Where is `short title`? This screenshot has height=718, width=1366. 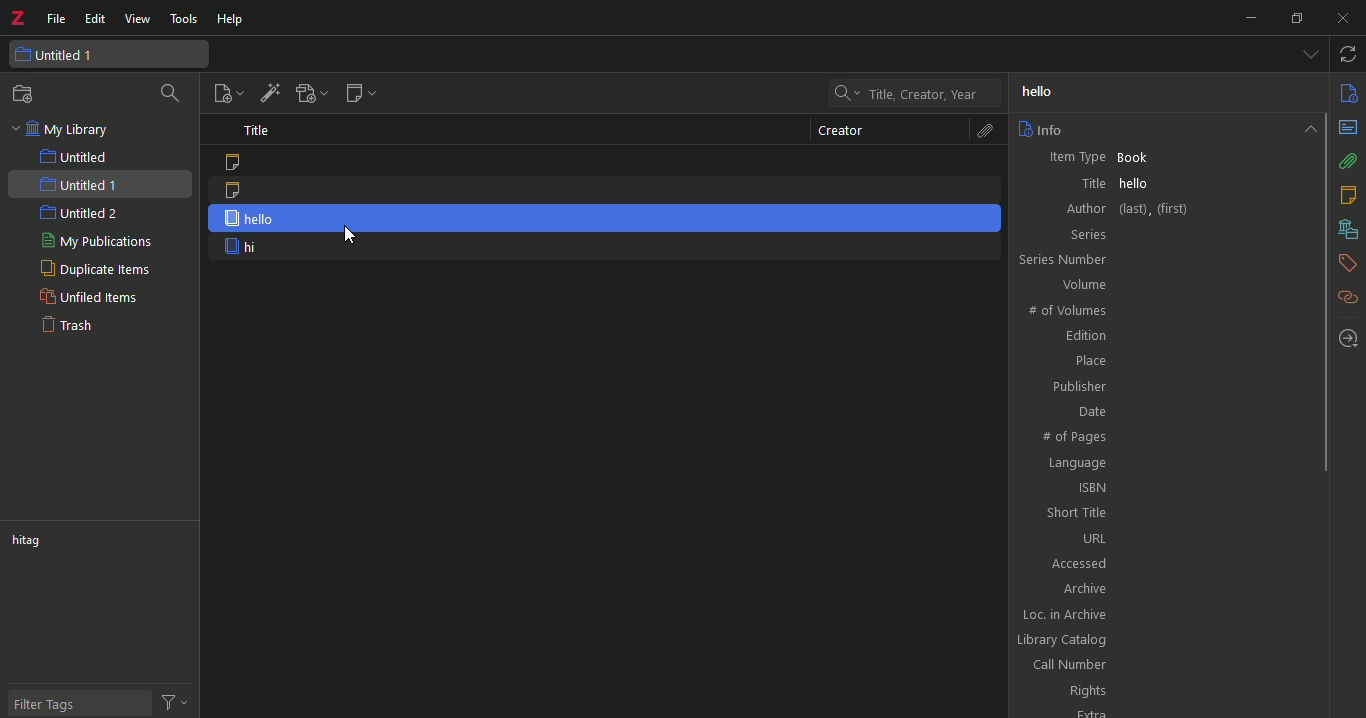
short title is located at coordinates (1080, 514).